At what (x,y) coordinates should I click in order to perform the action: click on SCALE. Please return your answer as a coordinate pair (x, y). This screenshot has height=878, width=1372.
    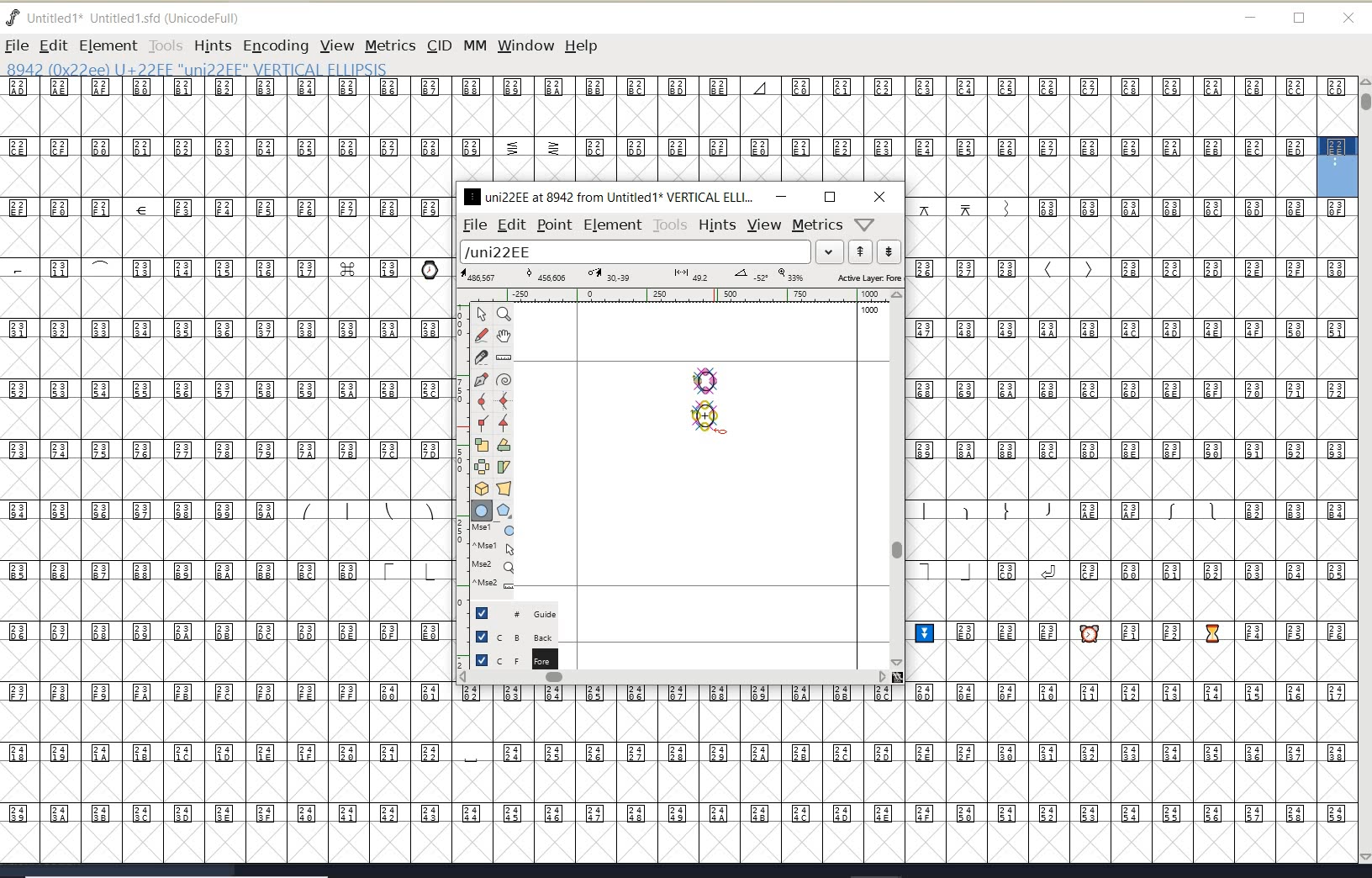
    Looking at the image, I should click on (460, 478).